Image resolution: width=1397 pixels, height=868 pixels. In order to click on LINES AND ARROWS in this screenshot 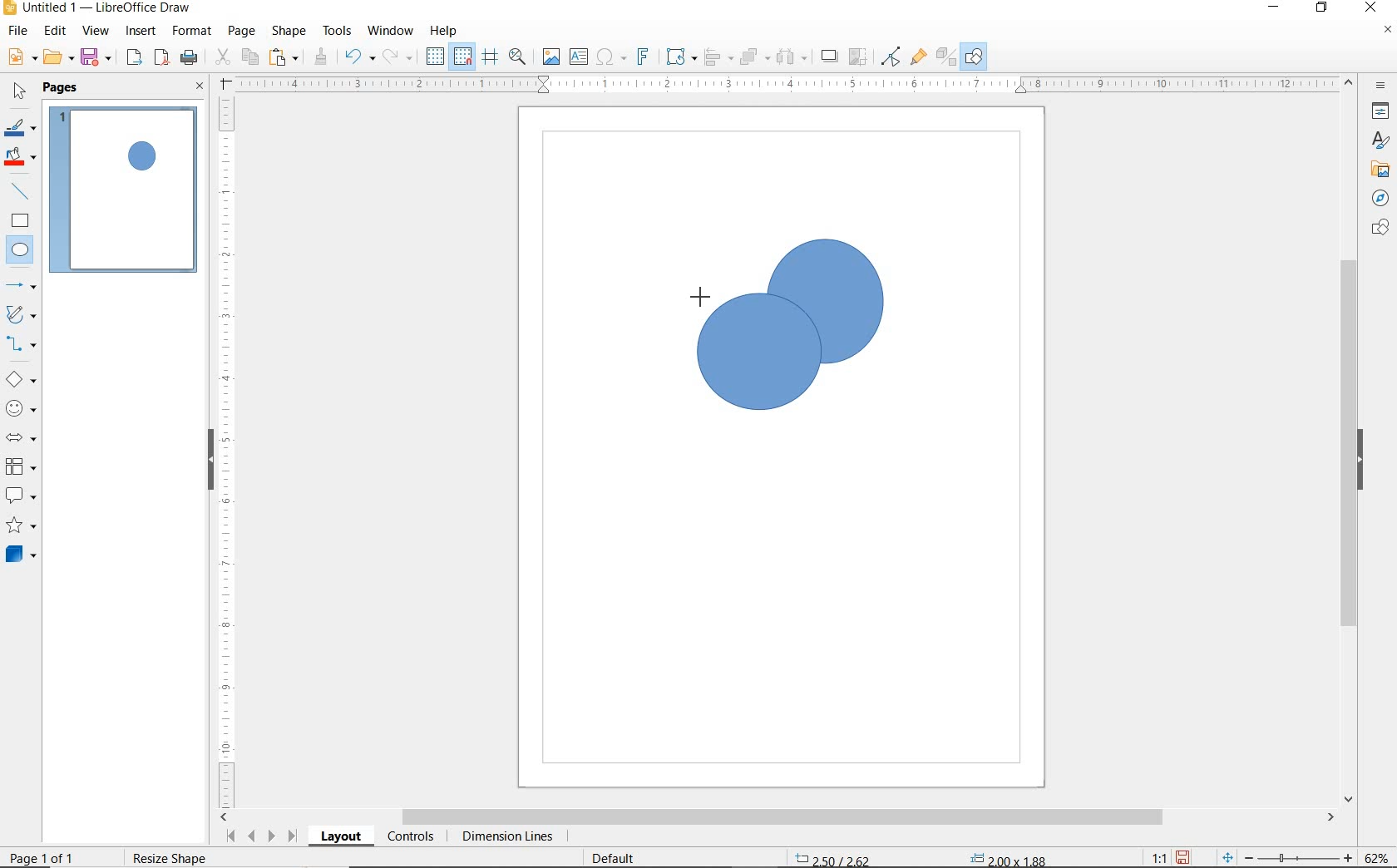, I will do `click(22, 287)`.